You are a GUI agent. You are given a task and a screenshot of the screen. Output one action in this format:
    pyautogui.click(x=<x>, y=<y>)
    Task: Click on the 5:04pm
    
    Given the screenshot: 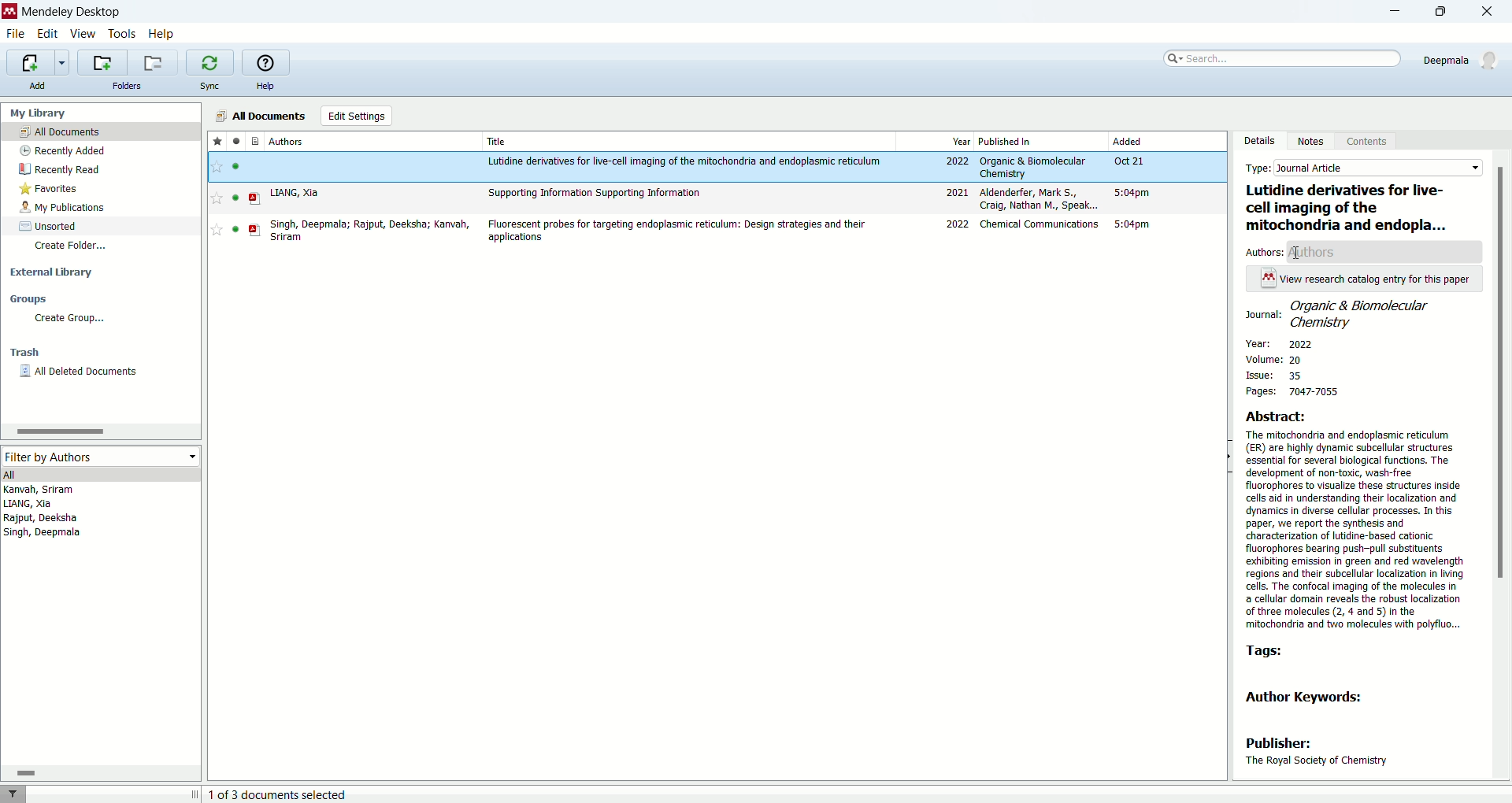 What is the action you would take?
    pyautogui.click(x=1135, y=194)
    